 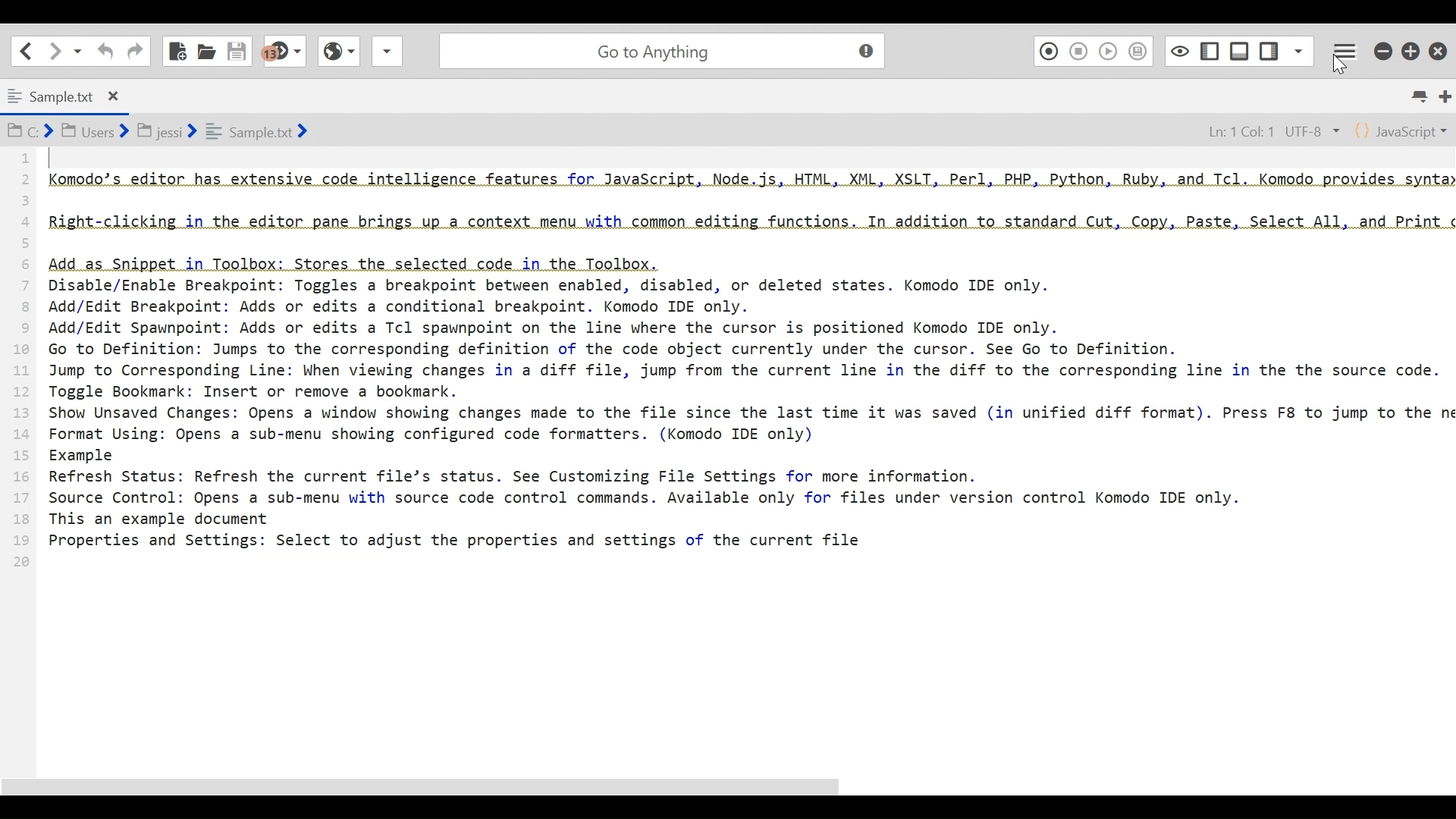 What do you see at coordinates (26, 50) in the screenshot?
I see `Go back one location` at bounding box center [26, 50].